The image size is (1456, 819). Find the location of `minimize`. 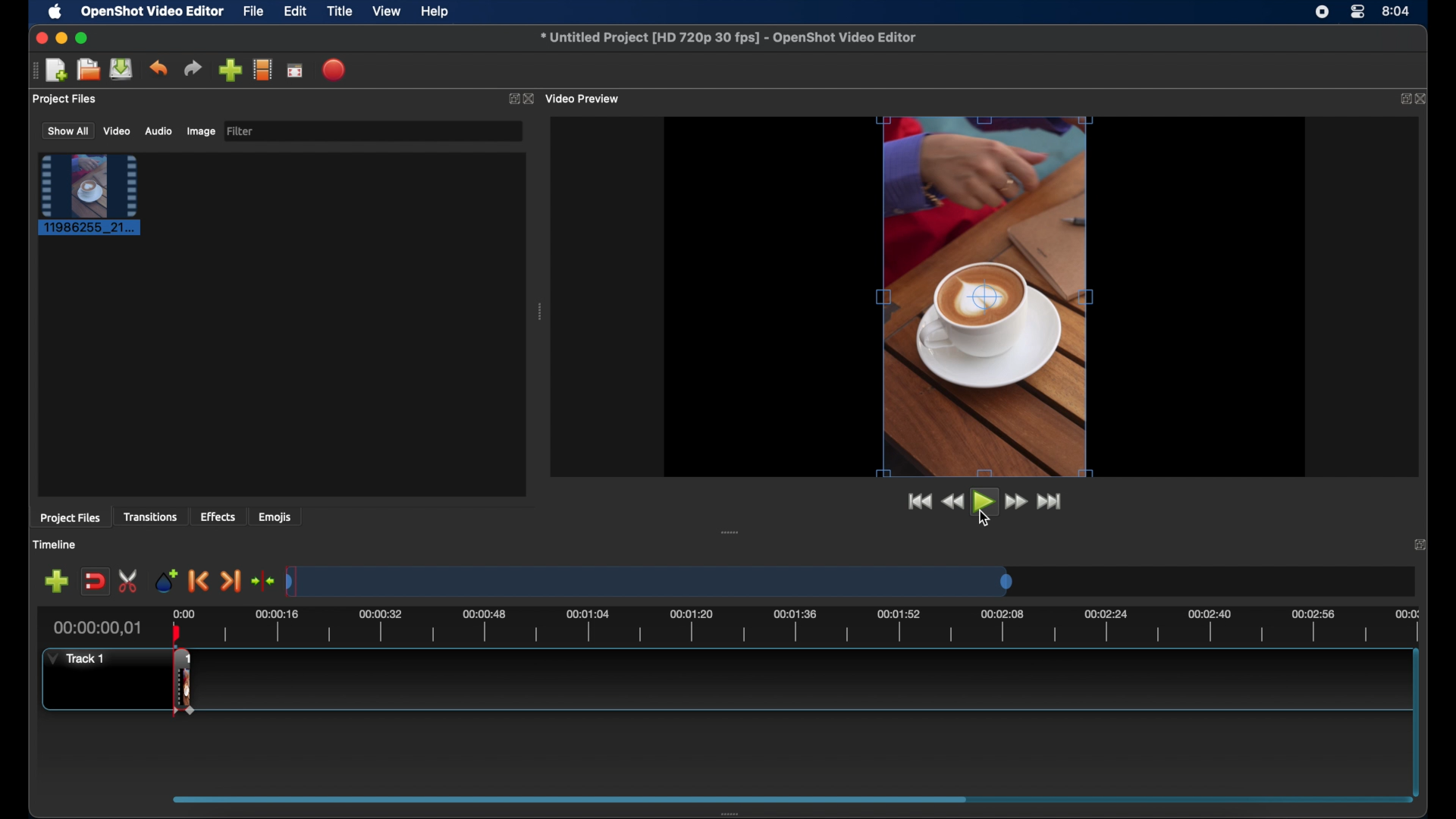

minimize is located at coordinates (61, 38).